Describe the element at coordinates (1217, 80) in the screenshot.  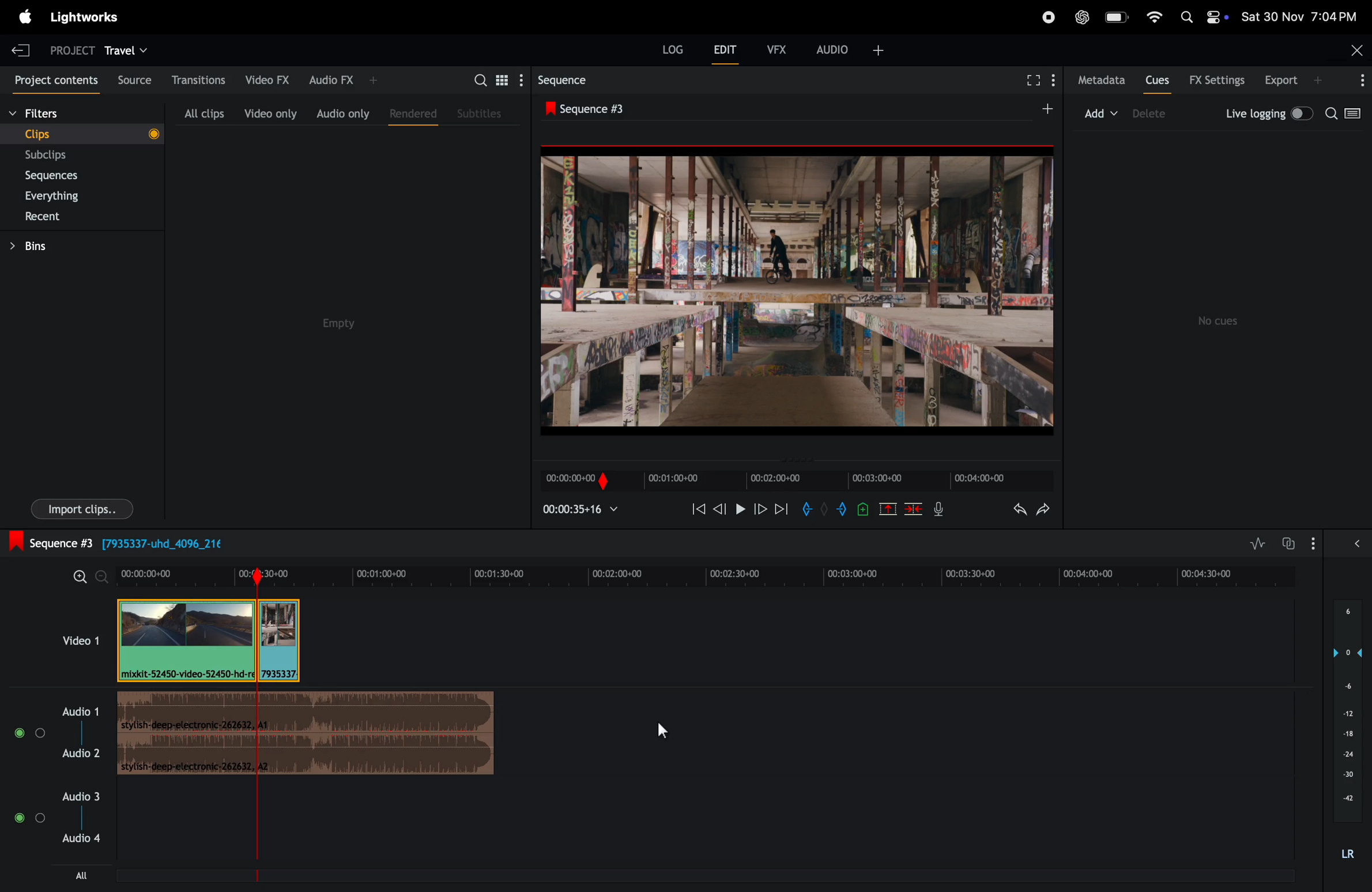
I see `fx settings` at that location.